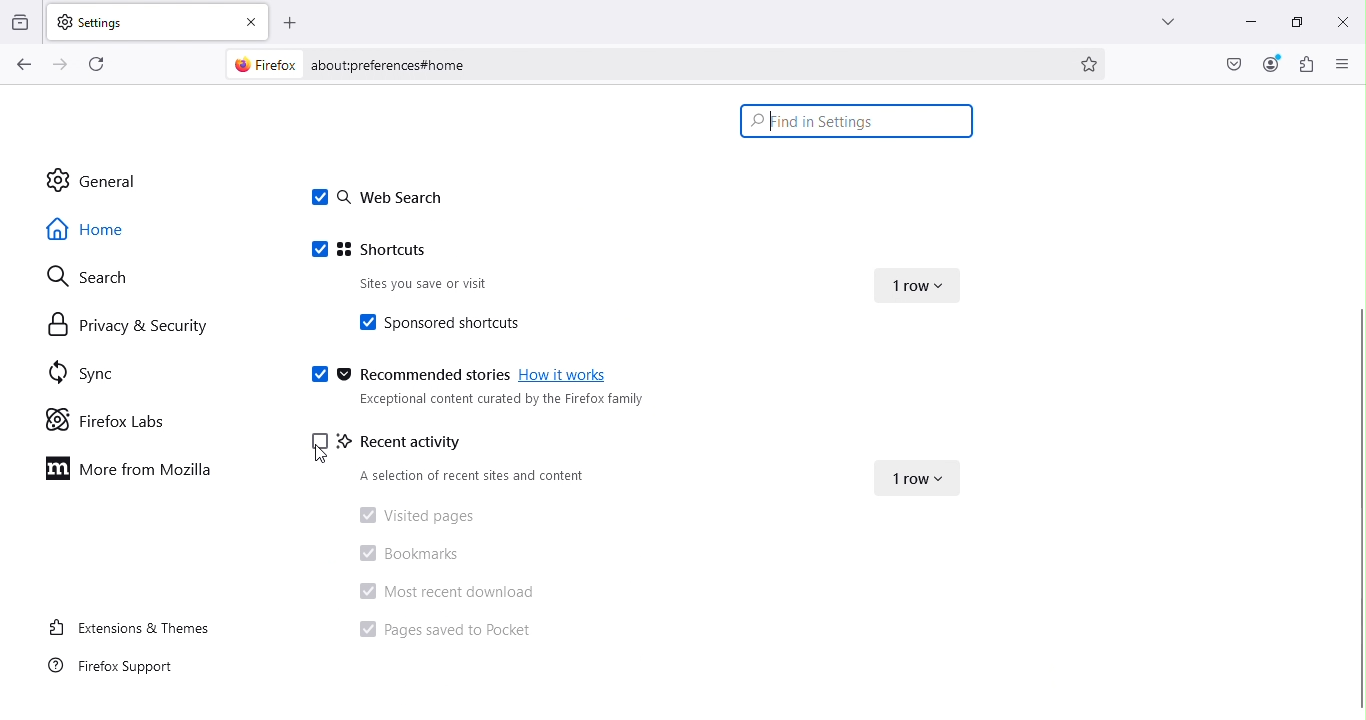  Describe the element at coordinates (442, 633) in the screenshot. I see `Pages saved to pocket` at that location.